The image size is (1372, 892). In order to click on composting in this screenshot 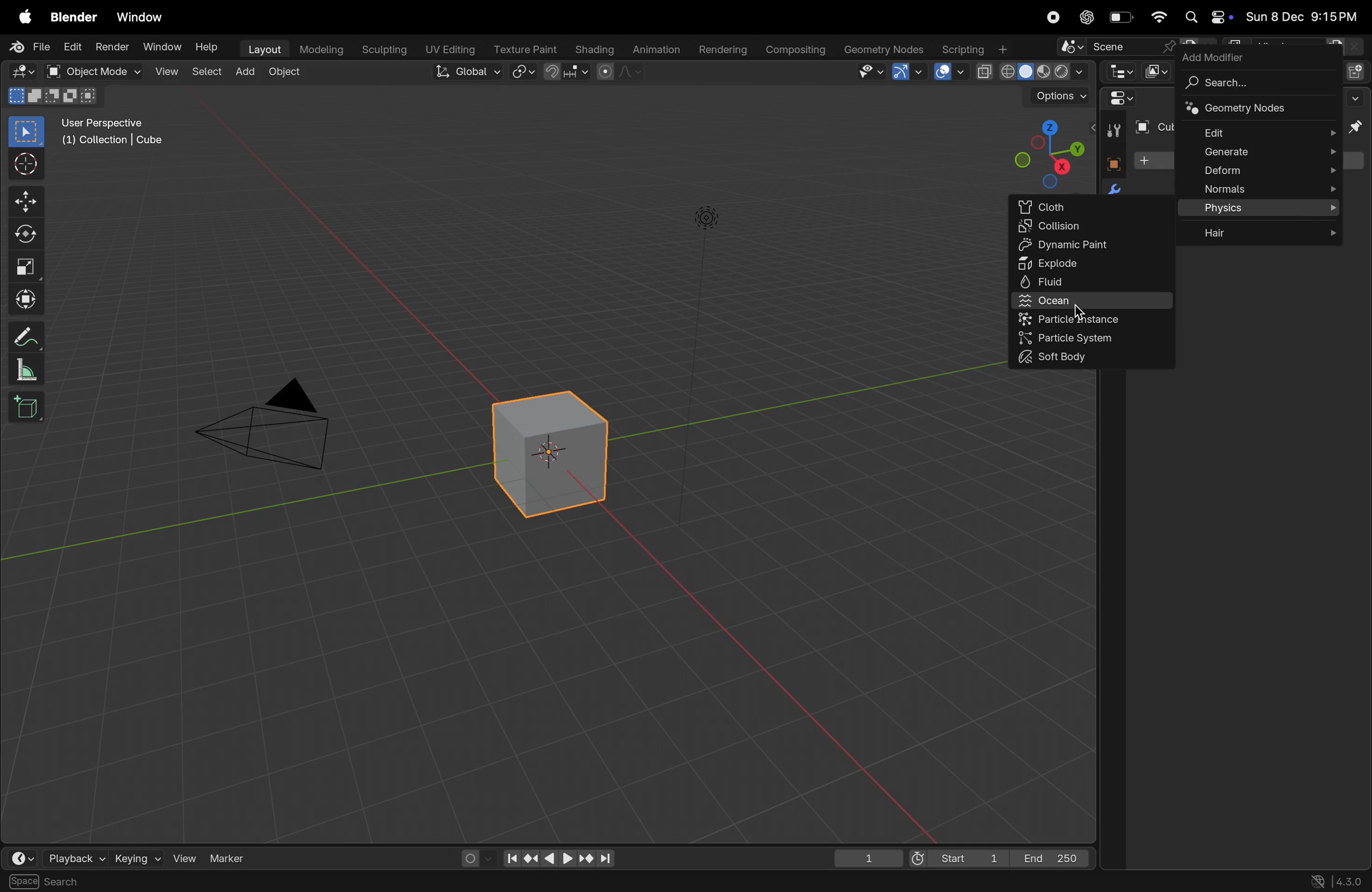, I will do `click(797, 50)`.